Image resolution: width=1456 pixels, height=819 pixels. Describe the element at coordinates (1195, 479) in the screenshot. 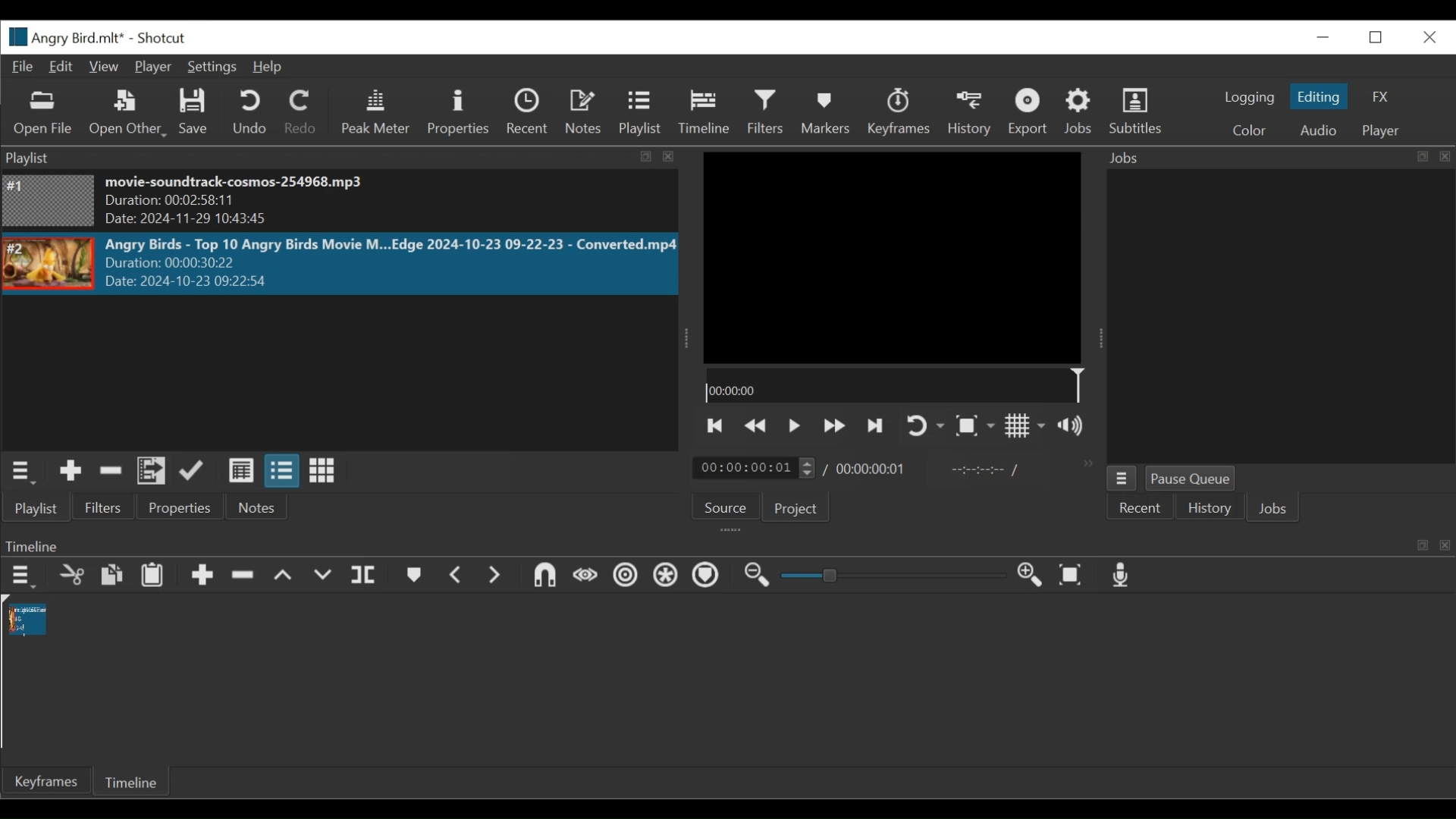

I see `Pause Queue` at that location.